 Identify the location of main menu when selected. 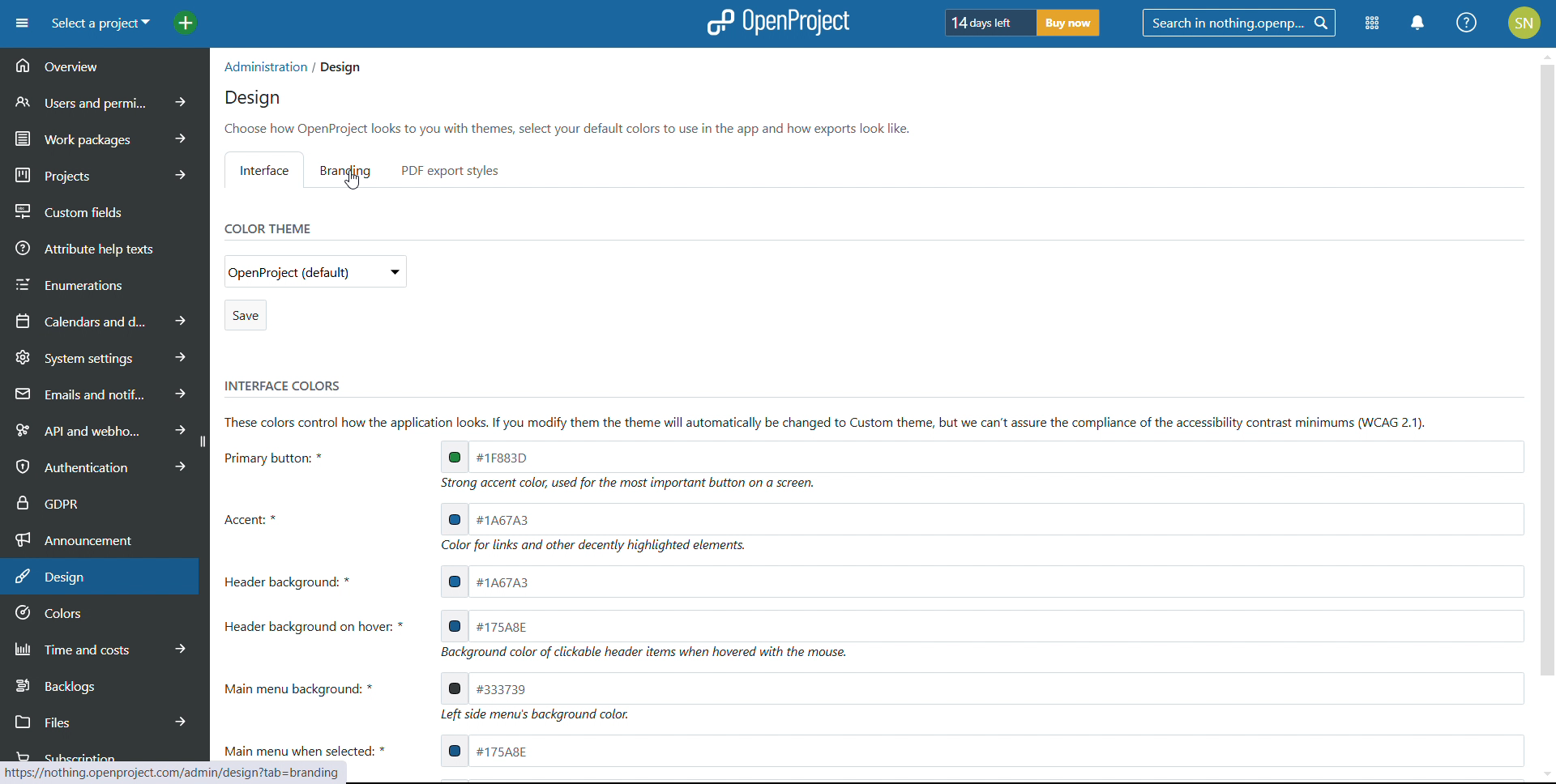
(981, 751).